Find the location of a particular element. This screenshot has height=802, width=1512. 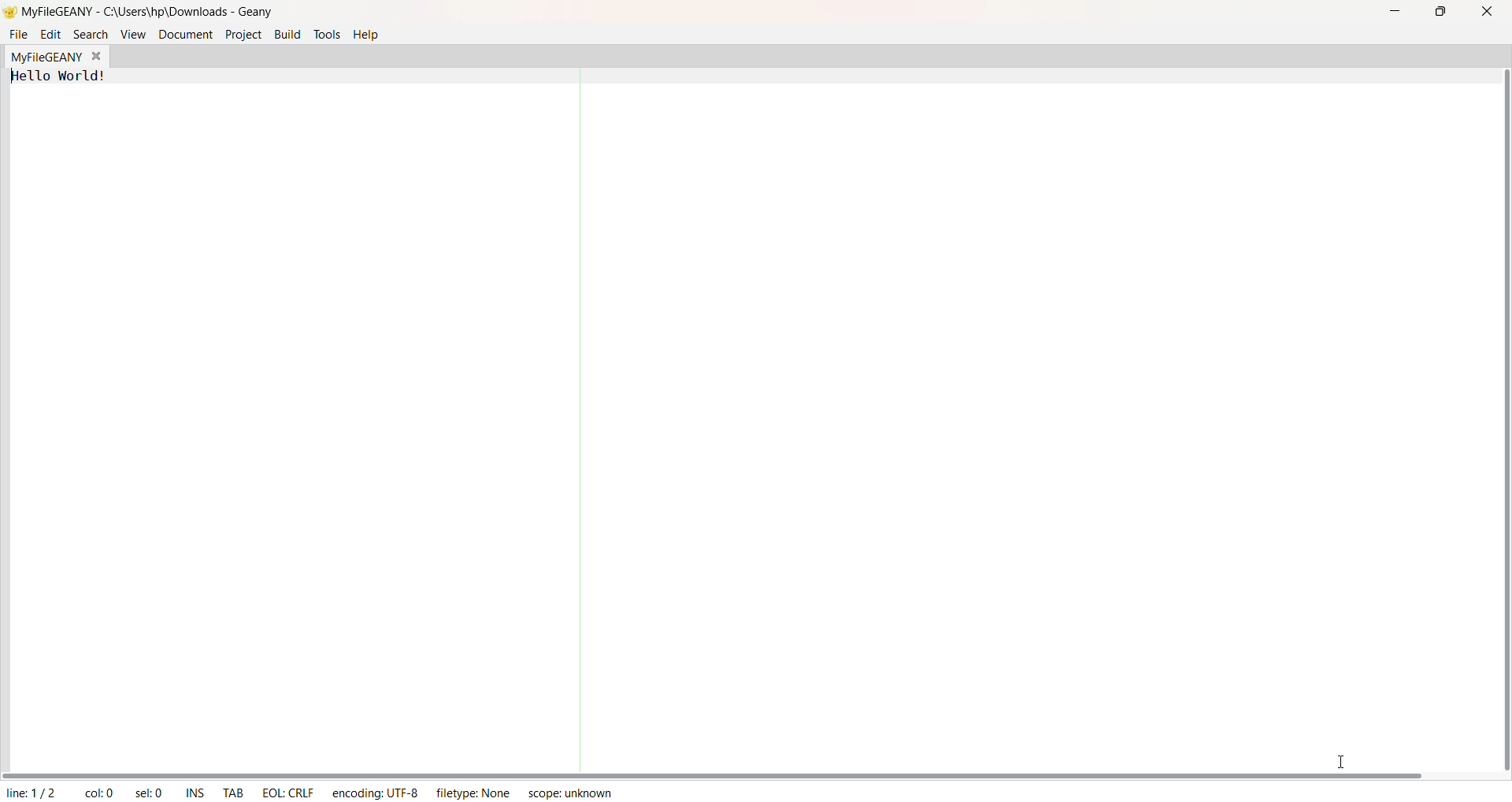

Seprator is located at coordinates (573, 421).